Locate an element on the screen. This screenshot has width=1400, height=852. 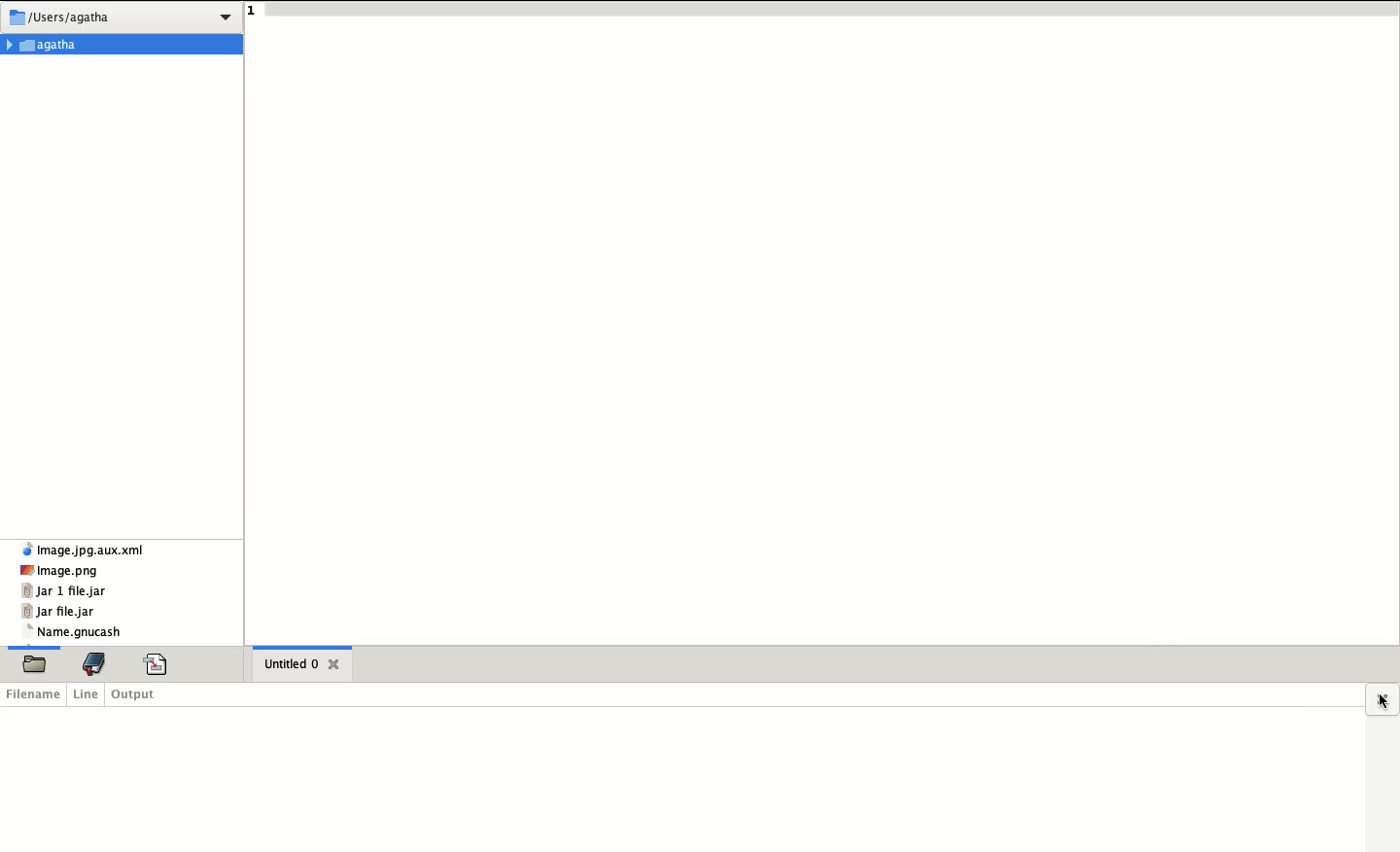
untitled 0 is located at coordinates (288, 664).